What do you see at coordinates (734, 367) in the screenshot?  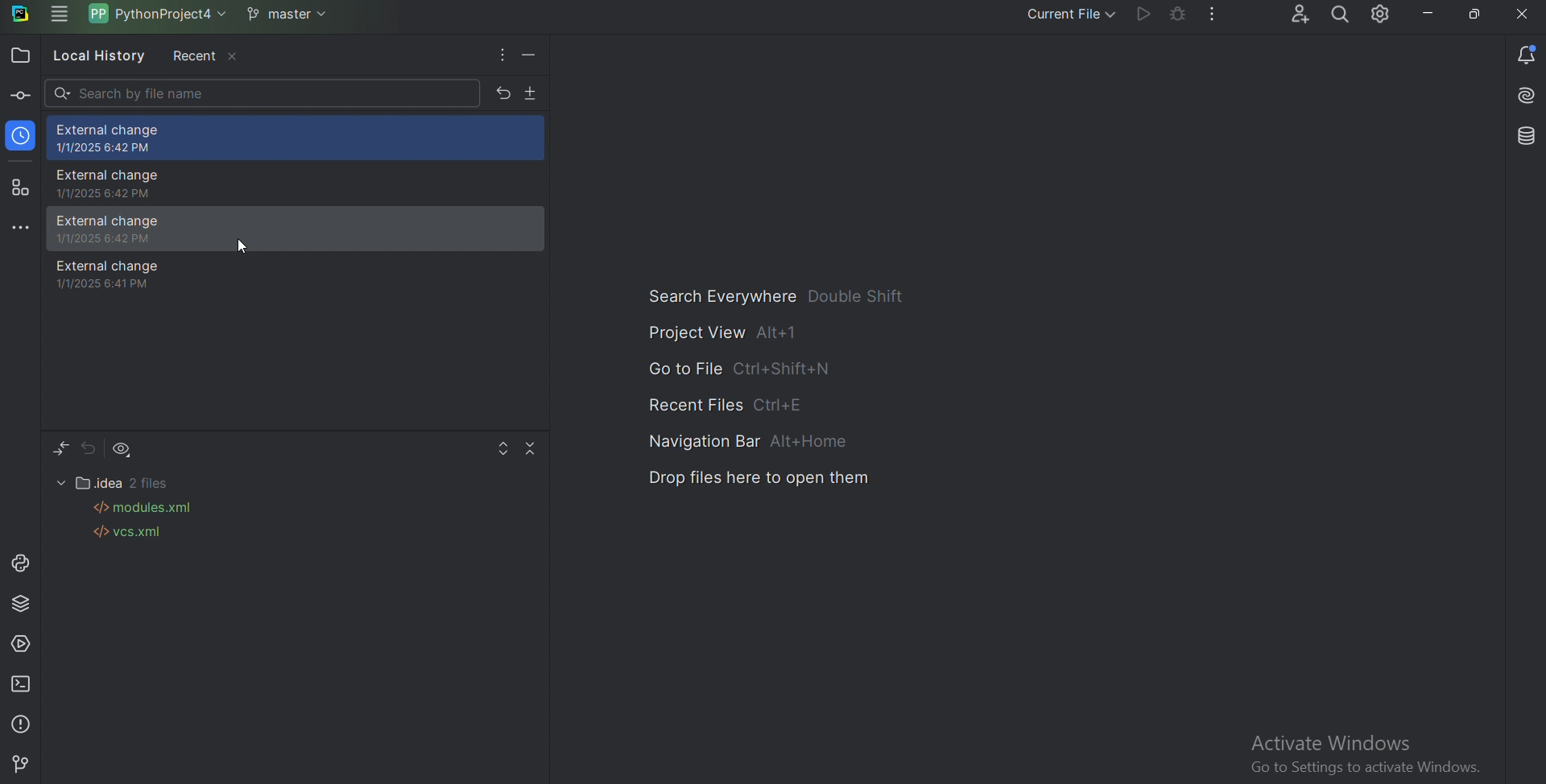 I see `Go to file` at bounding box center [734, 367].